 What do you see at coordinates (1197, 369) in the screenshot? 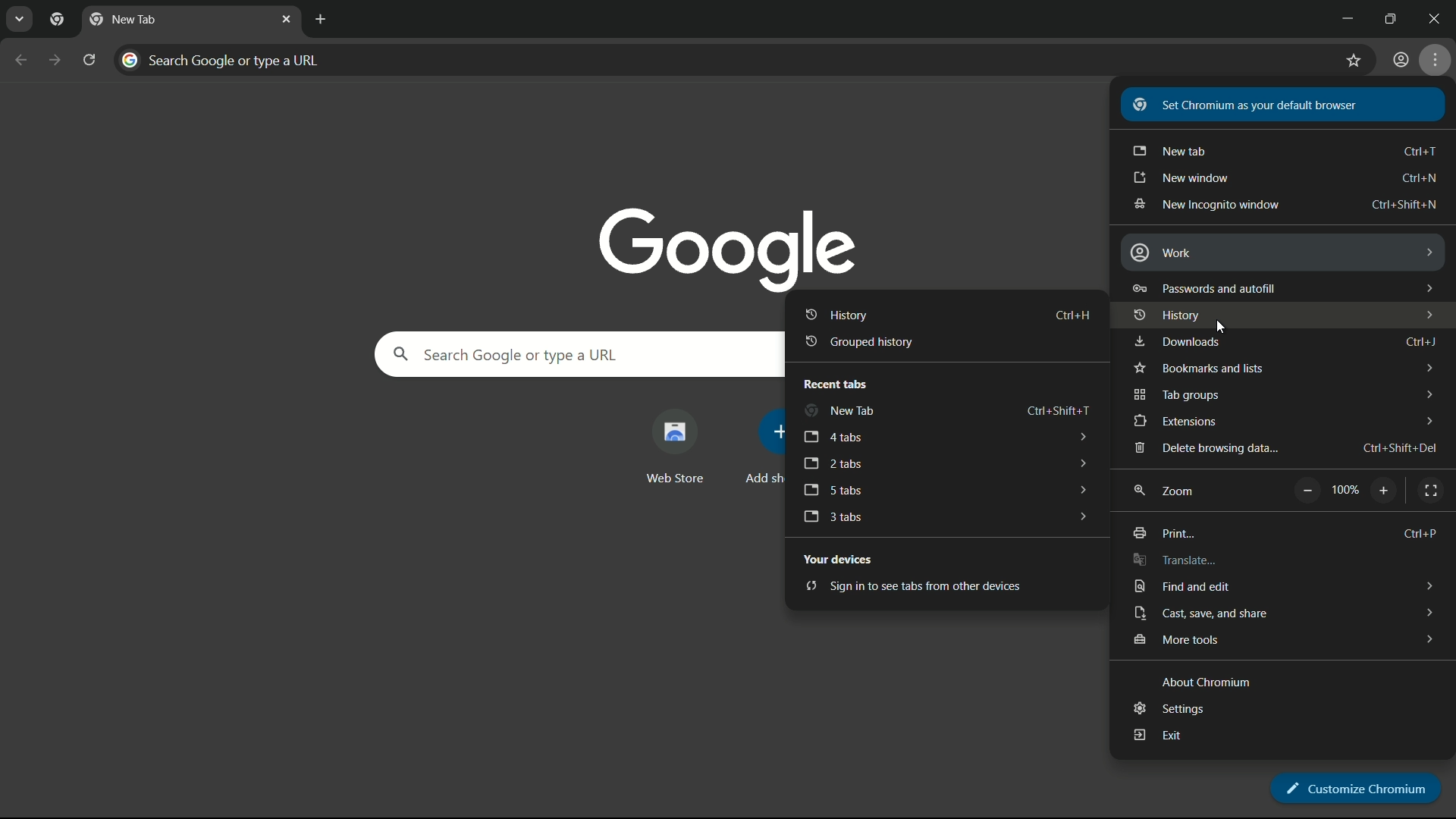
I see `bookmark and lists` at bounding box center [1197, 369].